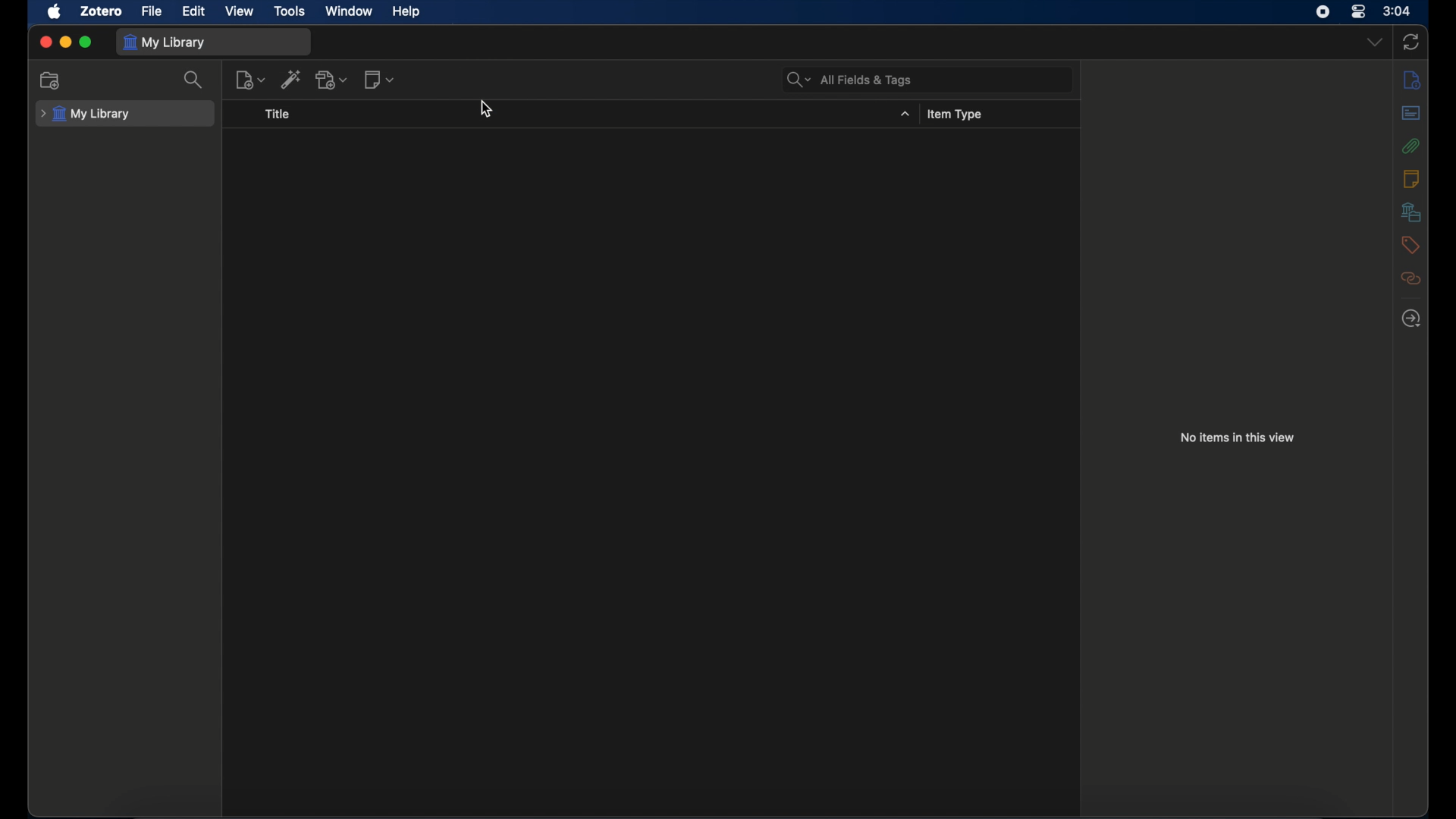 Image resolution: width=1456 pixels, height=819 pixels. What do you see at coordinates (1410, 212) in the screenshot?
I see `libraries` at bounding box center [1410, 212].